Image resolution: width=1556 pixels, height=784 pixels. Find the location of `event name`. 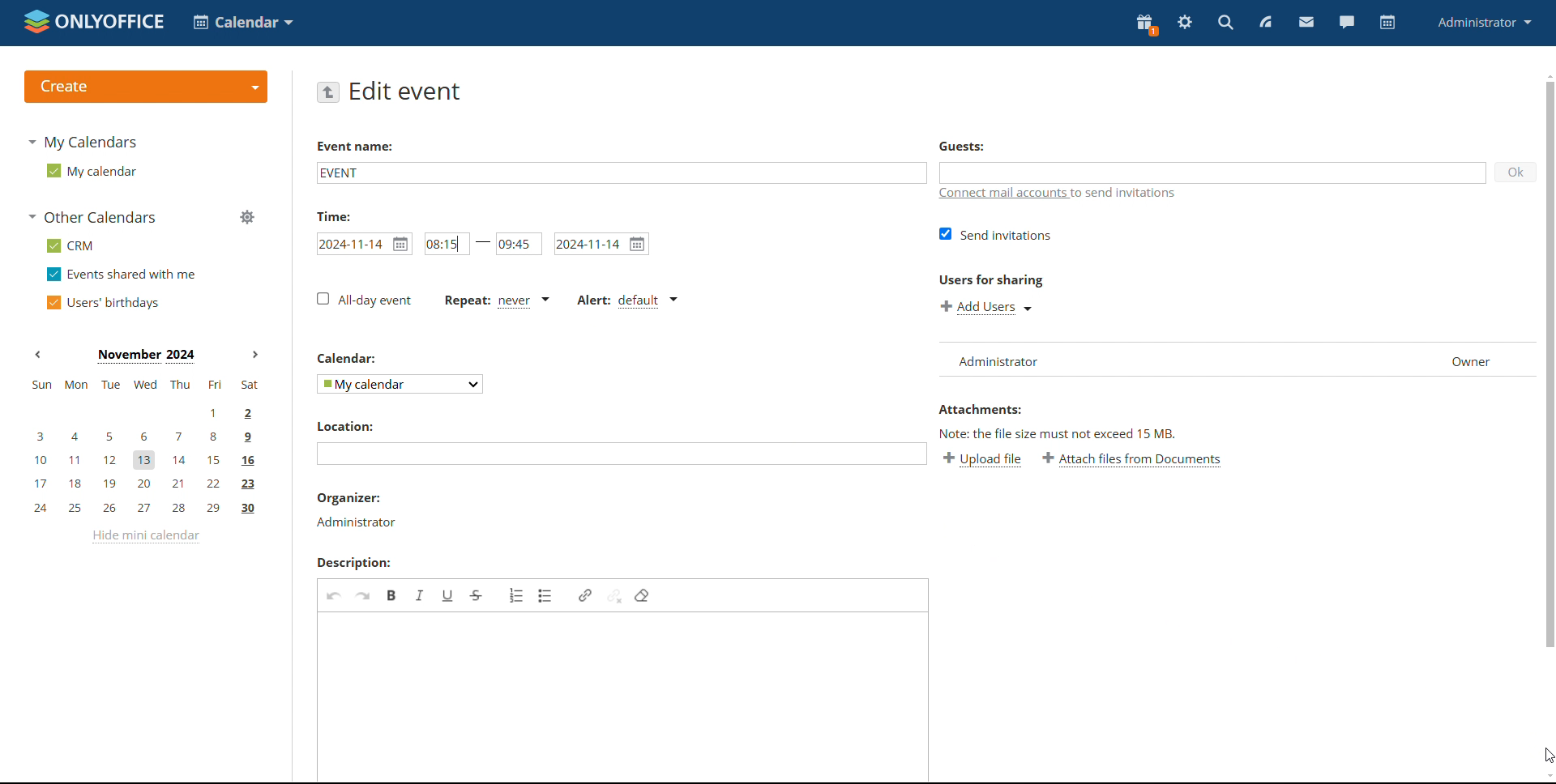

event name is located at coordinates (354, 146).